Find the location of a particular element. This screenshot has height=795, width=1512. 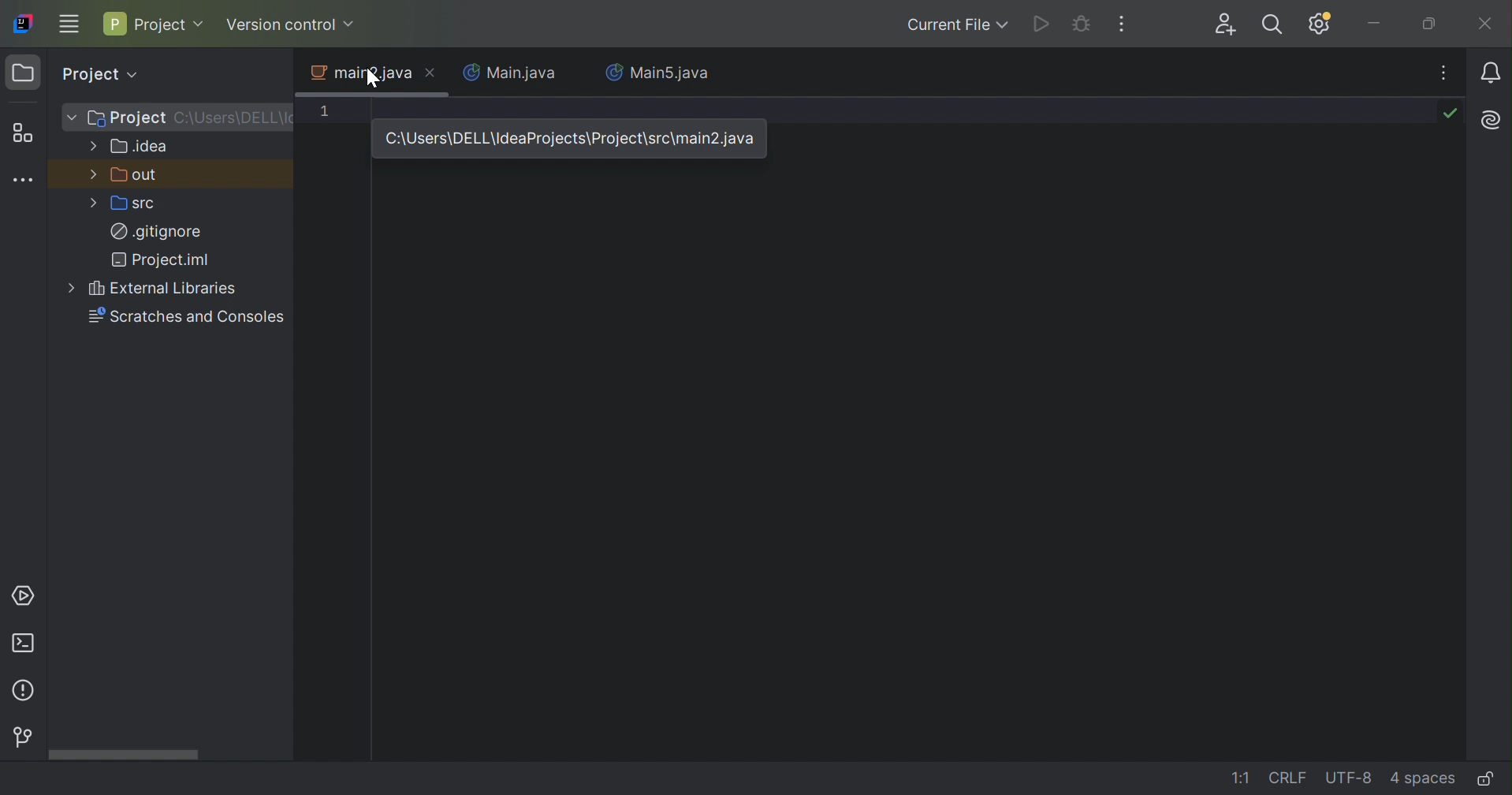

Close is located at coordinates (432, 73).